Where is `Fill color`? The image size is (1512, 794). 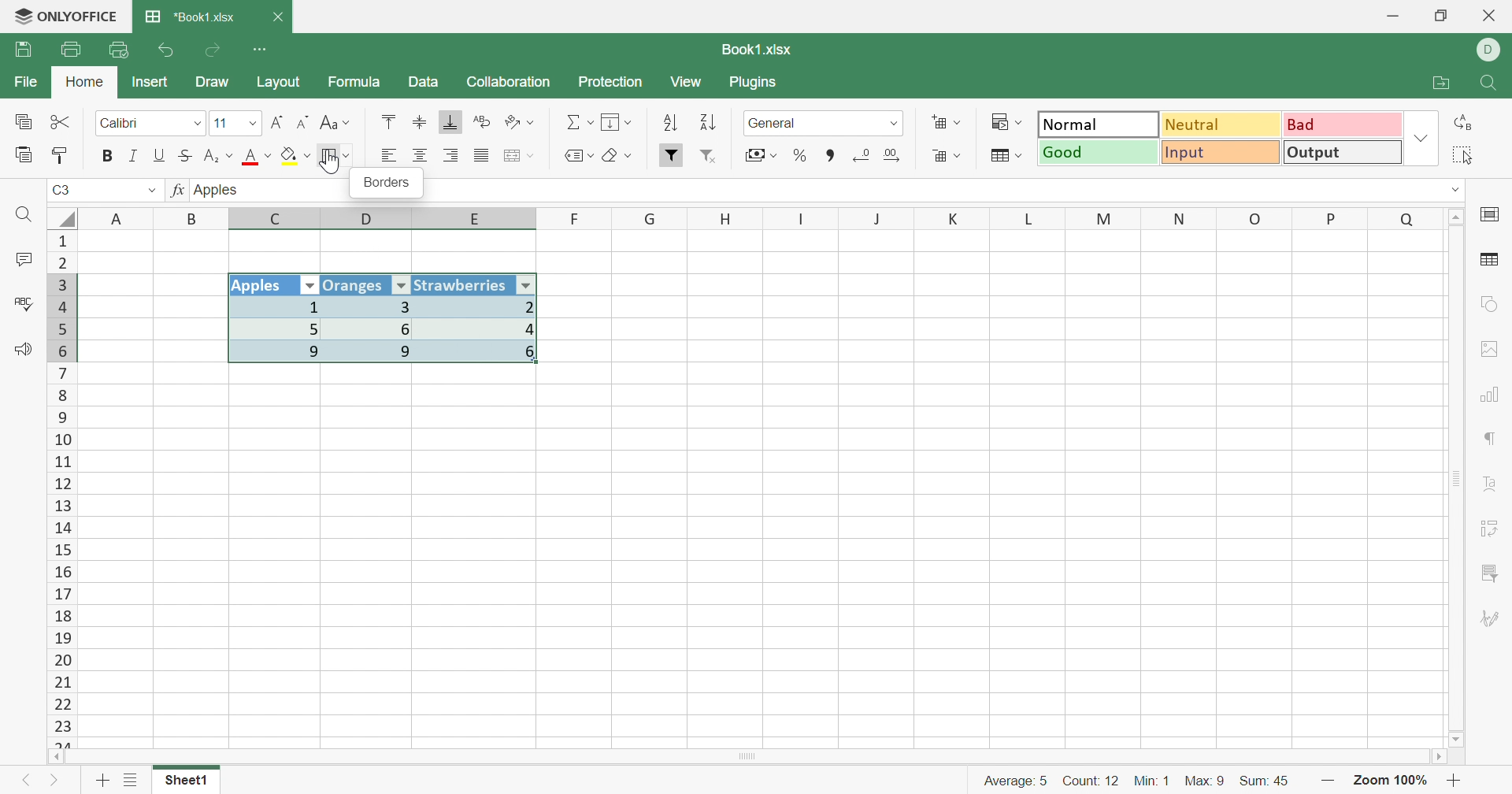 Fill color is located at coordinates (296, 156).